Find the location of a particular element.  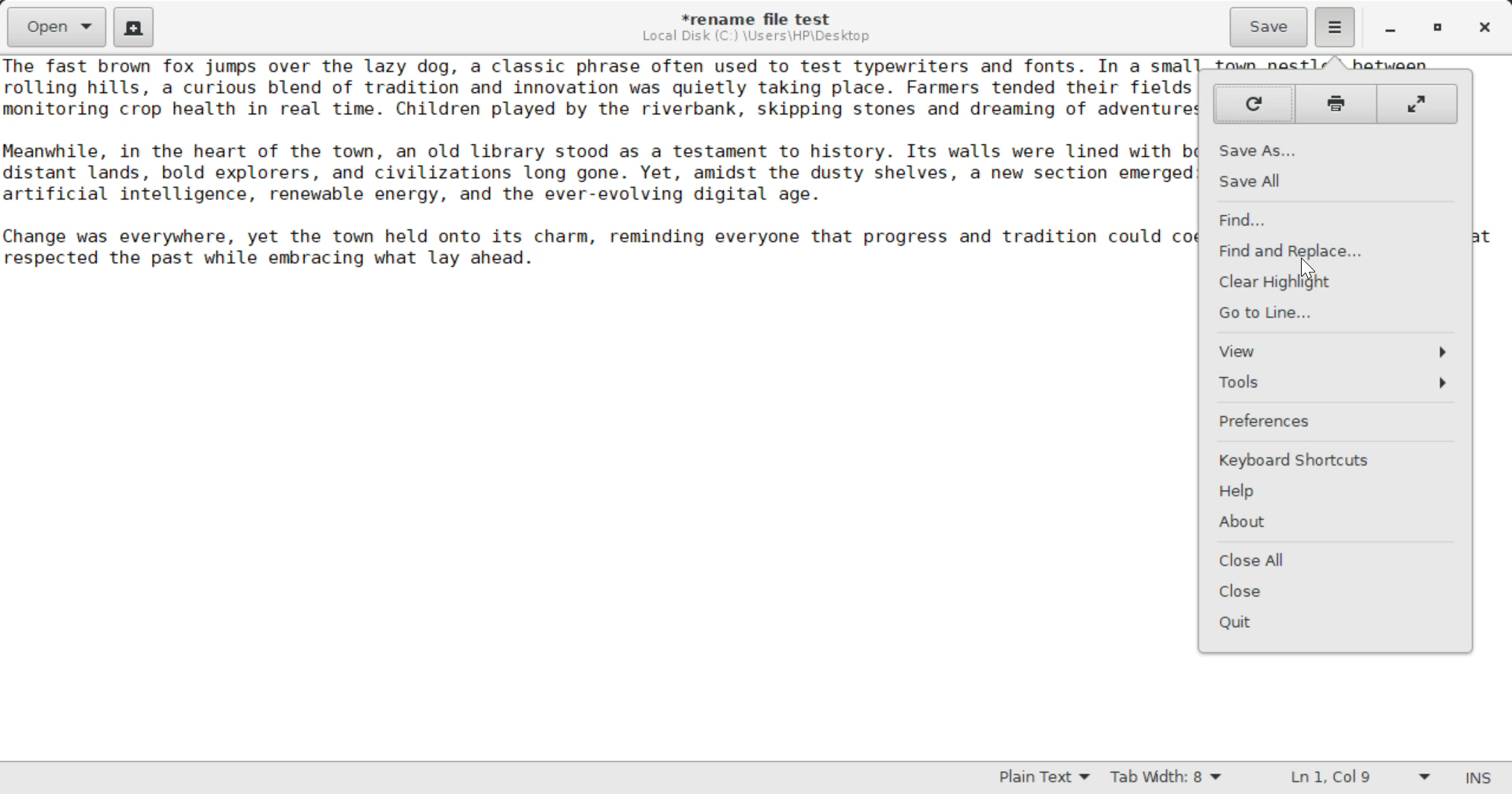

Tools is located at coordinates (1336, 385).